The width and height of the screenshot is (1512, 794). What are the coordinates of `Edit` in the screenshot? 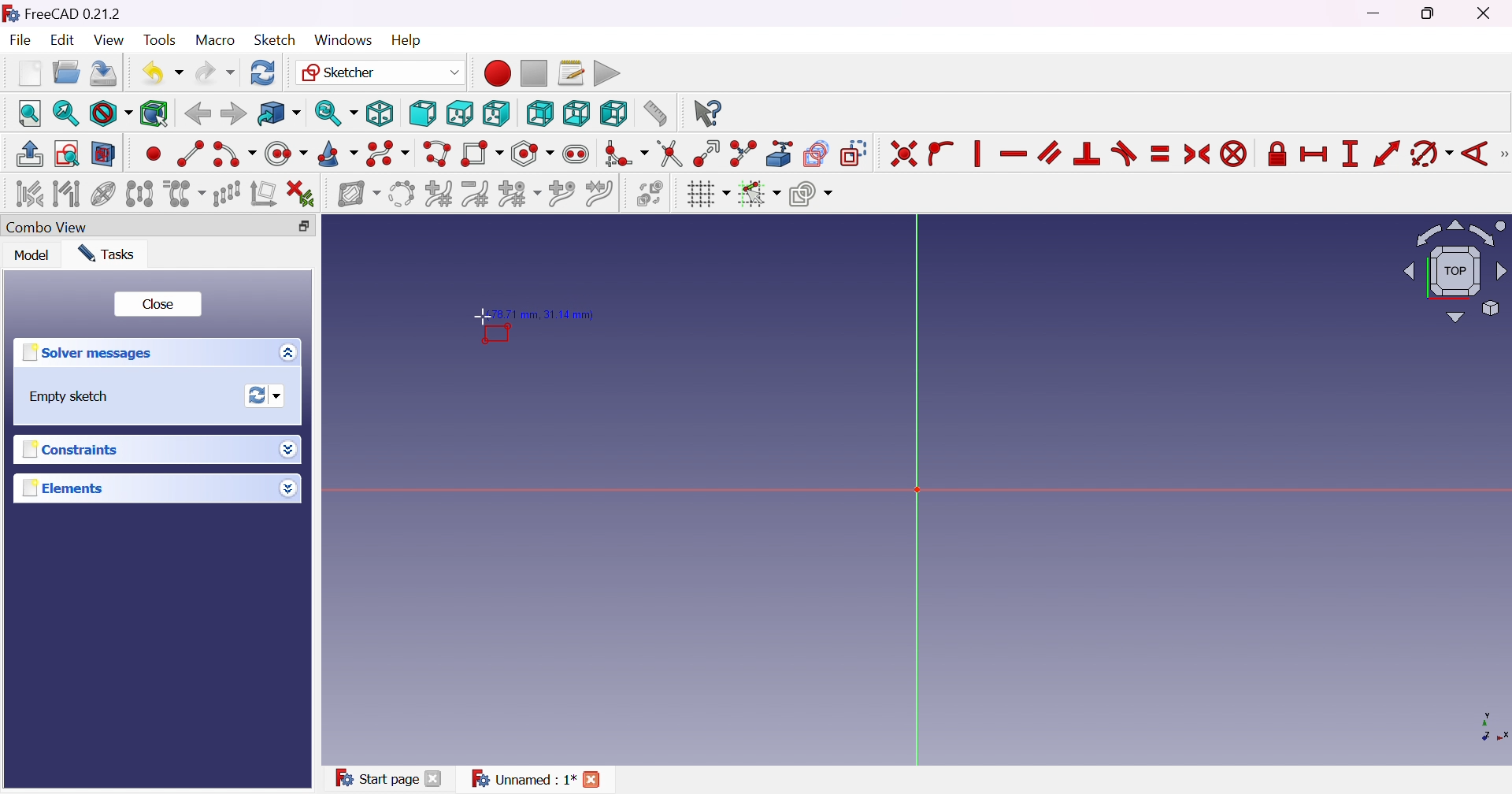 It's located at (64, 41).